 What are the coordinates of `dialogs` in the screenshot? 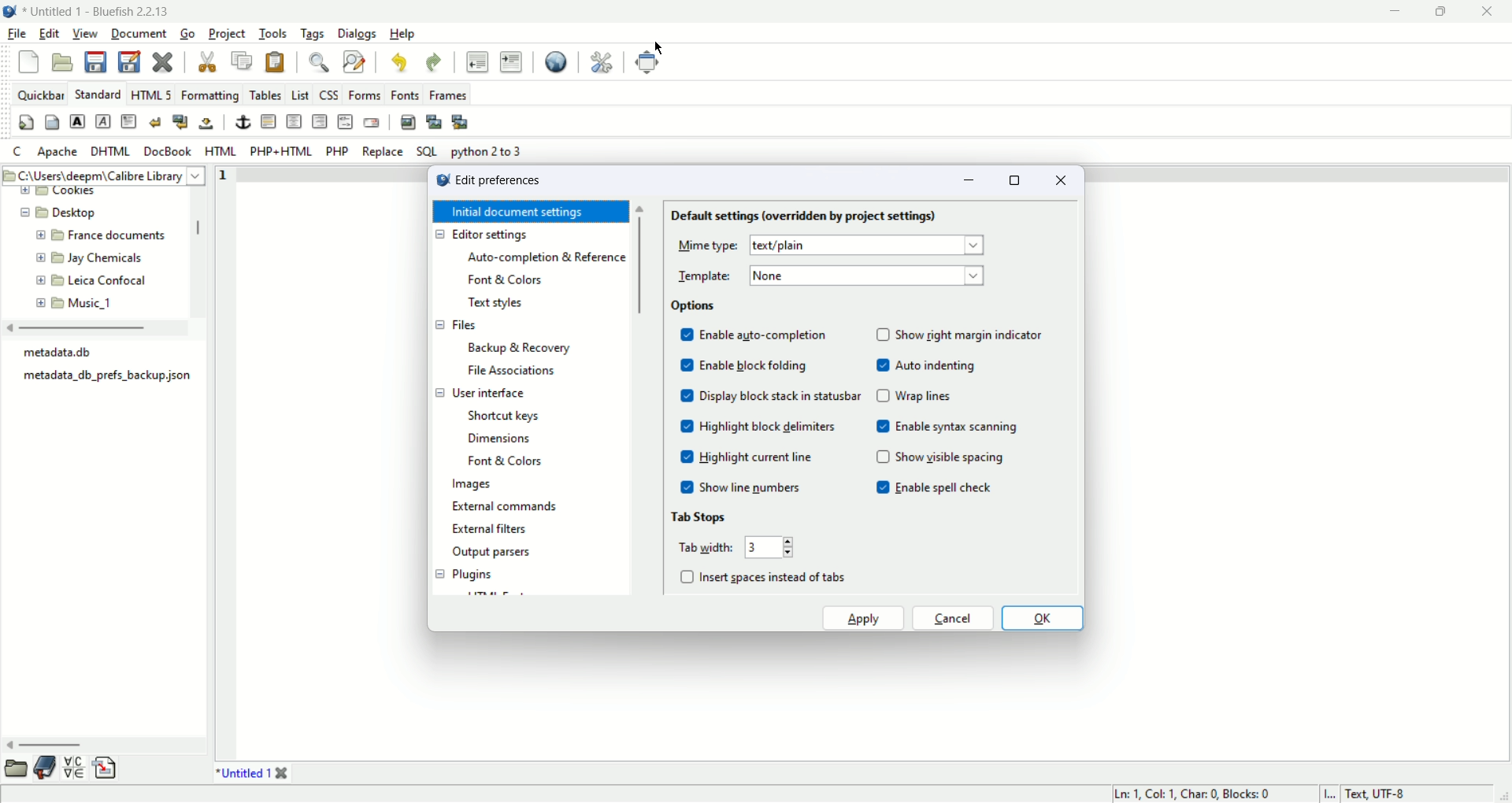 It's located at (358, 35).